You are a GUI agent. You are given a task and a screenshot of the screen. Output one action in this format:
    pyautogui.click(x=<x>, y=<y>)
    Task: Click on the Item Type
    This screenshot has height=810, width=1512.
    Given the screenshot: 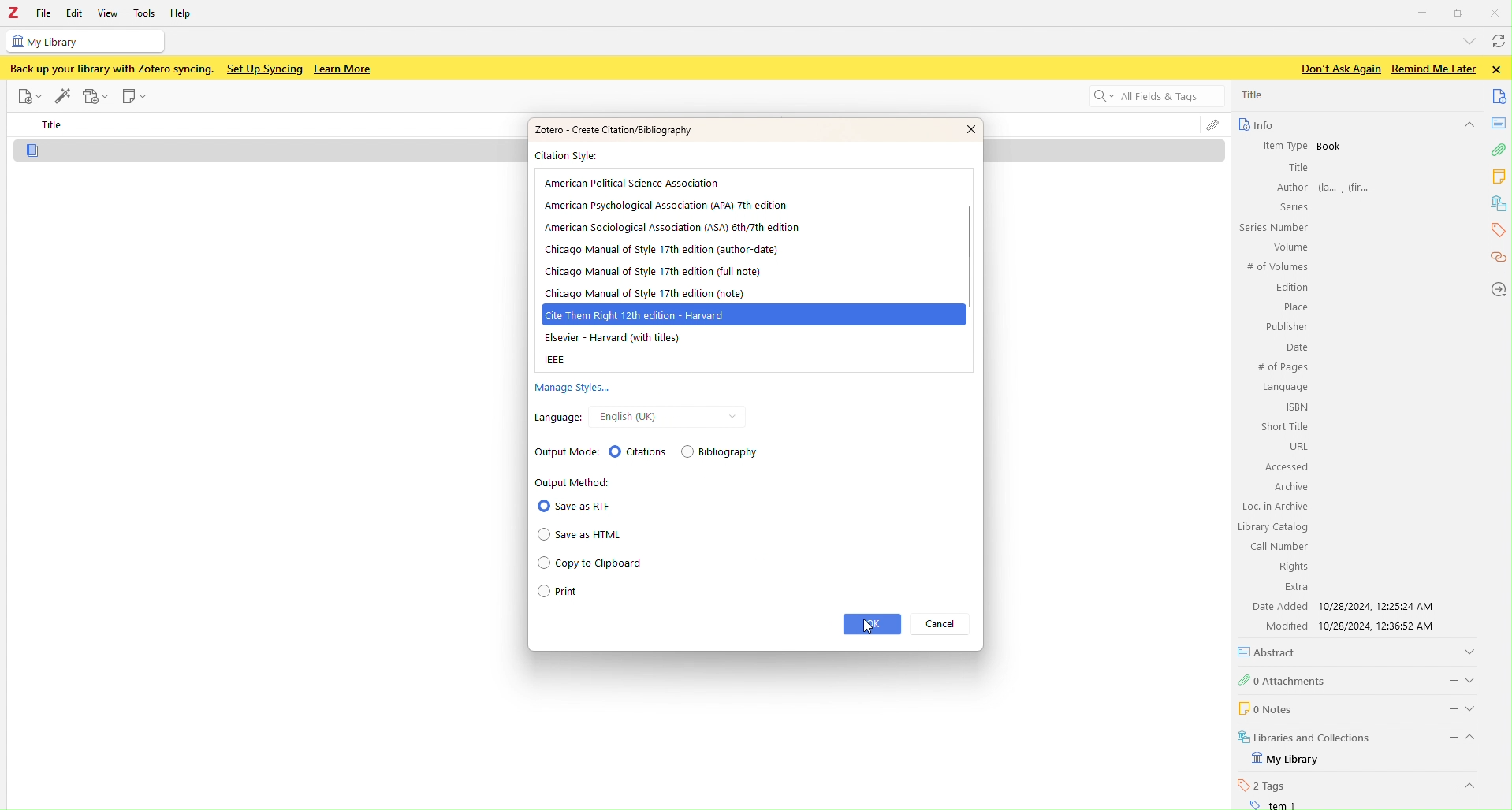 What is the action you would take?
    pyautogui.click(x=1278, y=145)
    